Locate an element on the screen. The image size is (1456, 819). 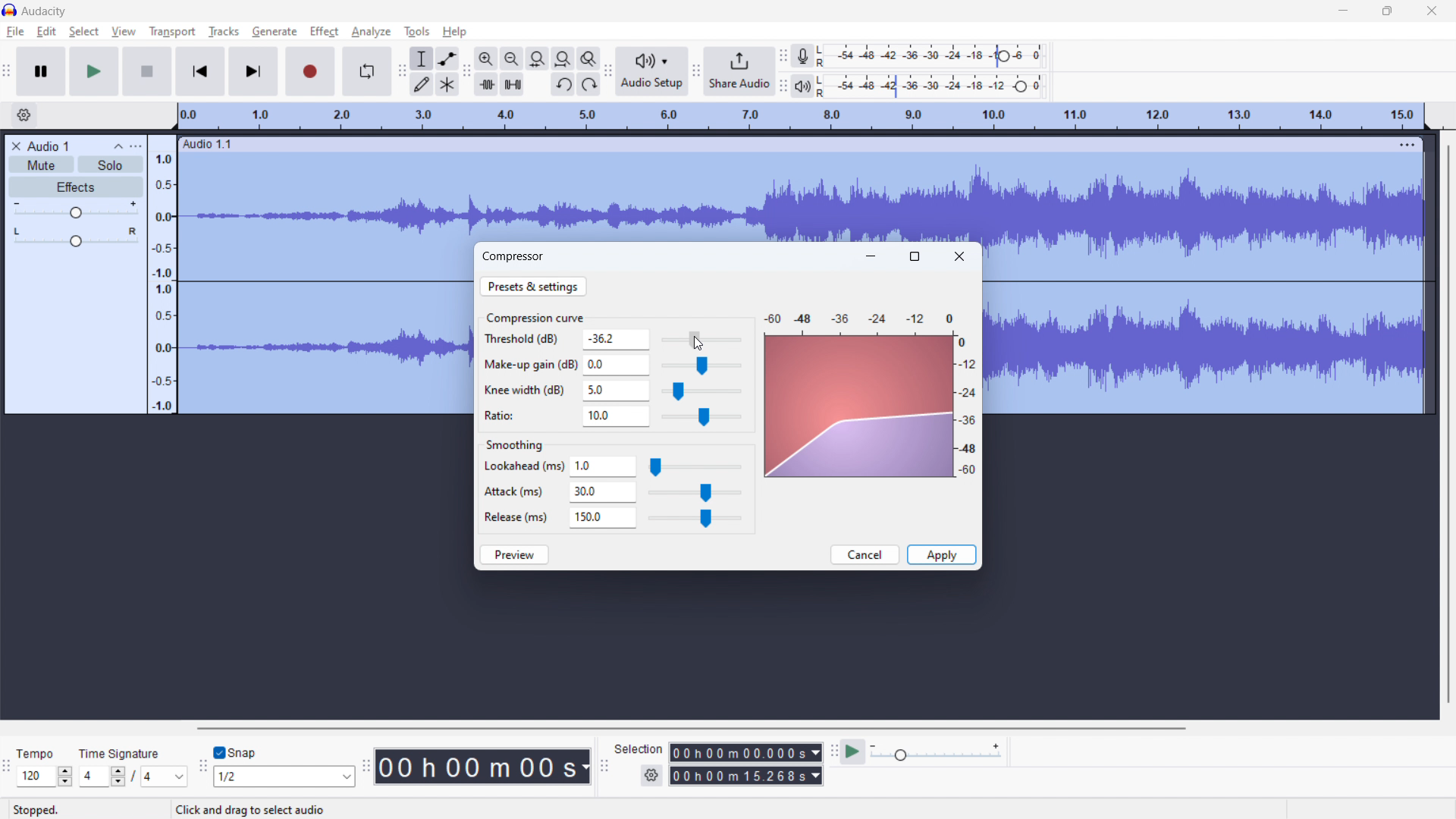
multi tool is located at coordinates (447, 85).